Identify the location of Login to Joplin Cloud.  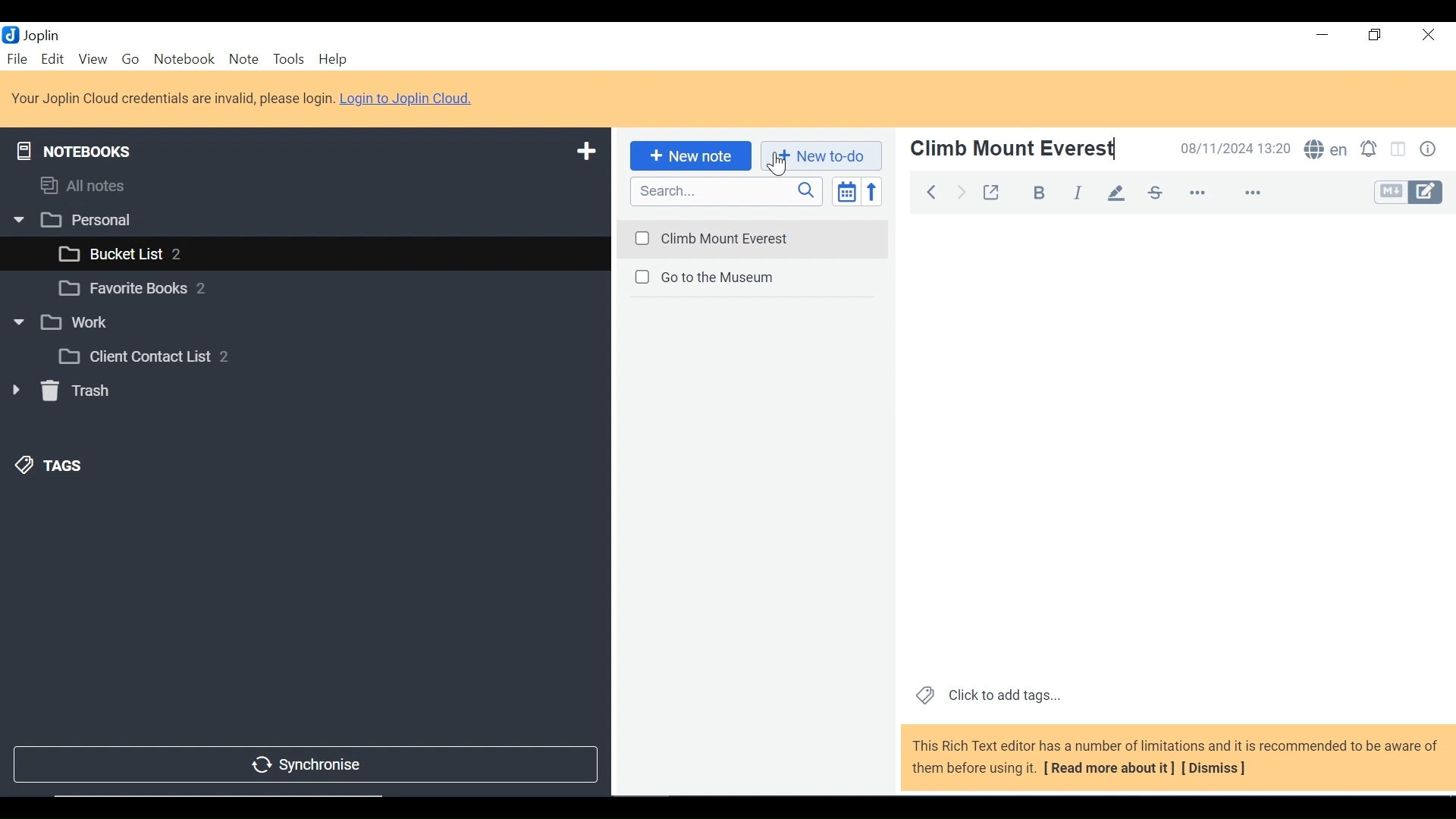
(243, 99).